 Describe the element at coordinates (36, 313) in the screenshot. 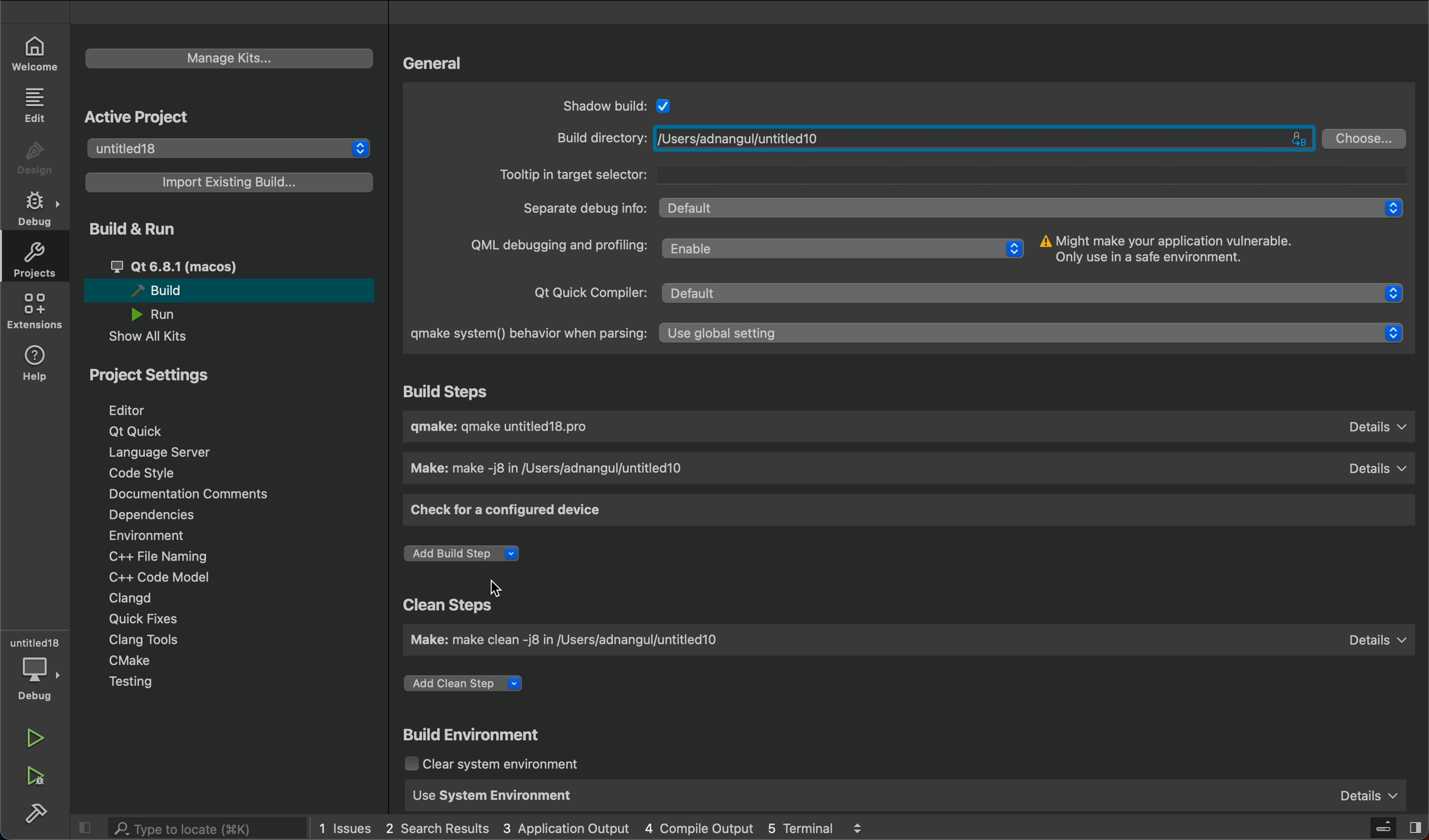

I see `extensions` at that location.